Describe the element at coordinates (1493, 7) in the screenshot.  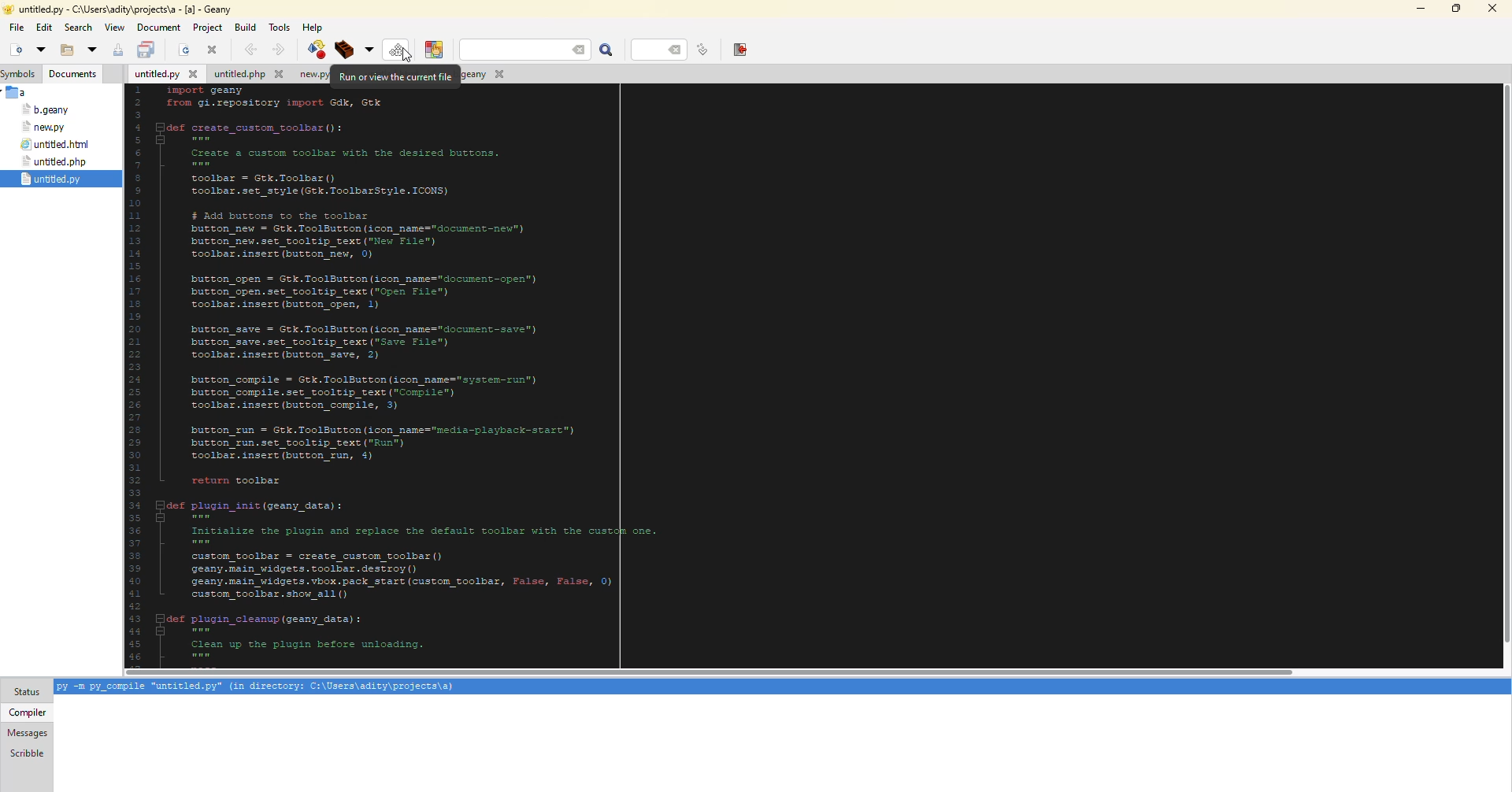
I see `close` at that location.